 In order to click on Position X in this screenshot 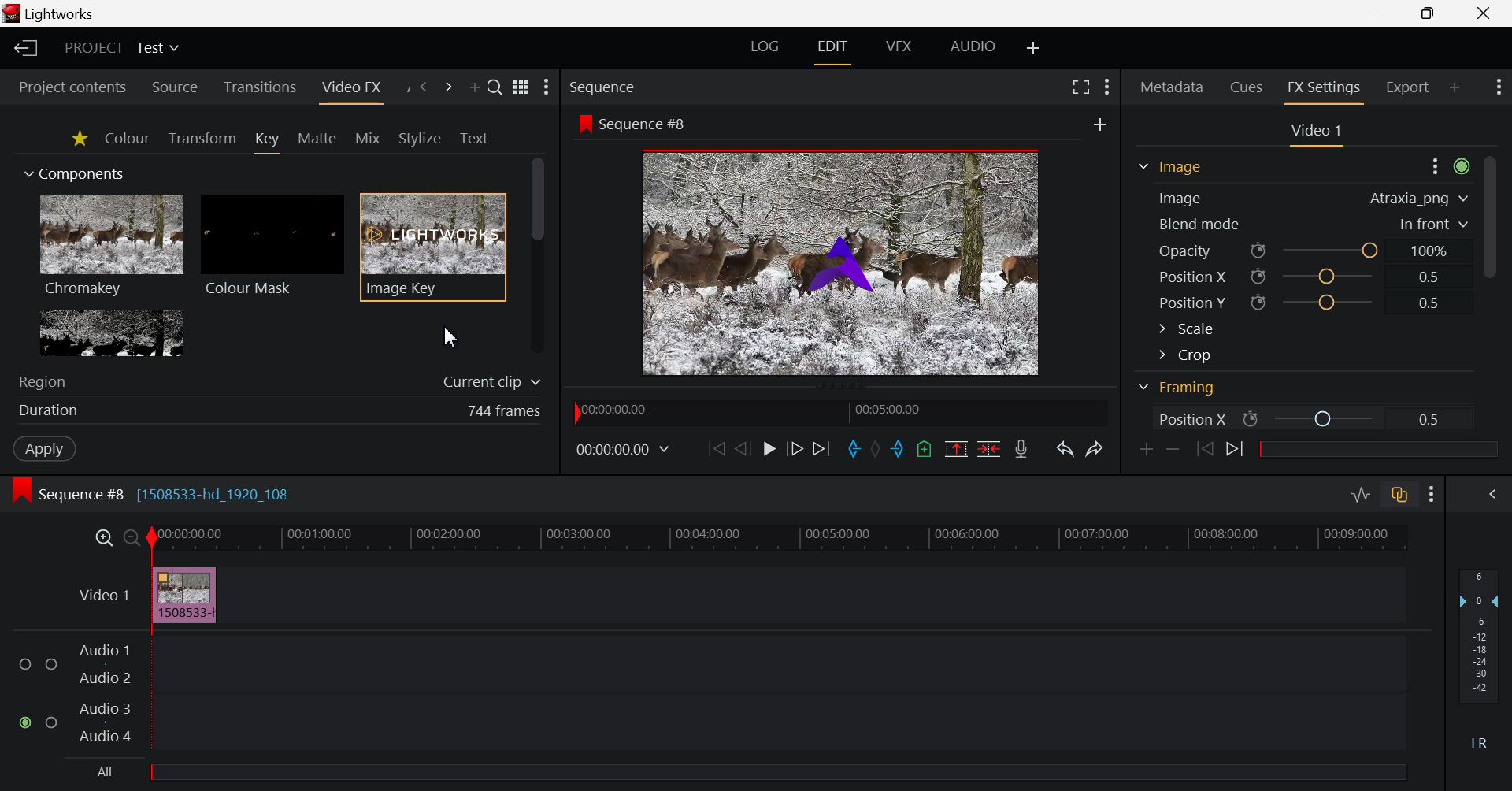, I will do `click(1187, 418)`.